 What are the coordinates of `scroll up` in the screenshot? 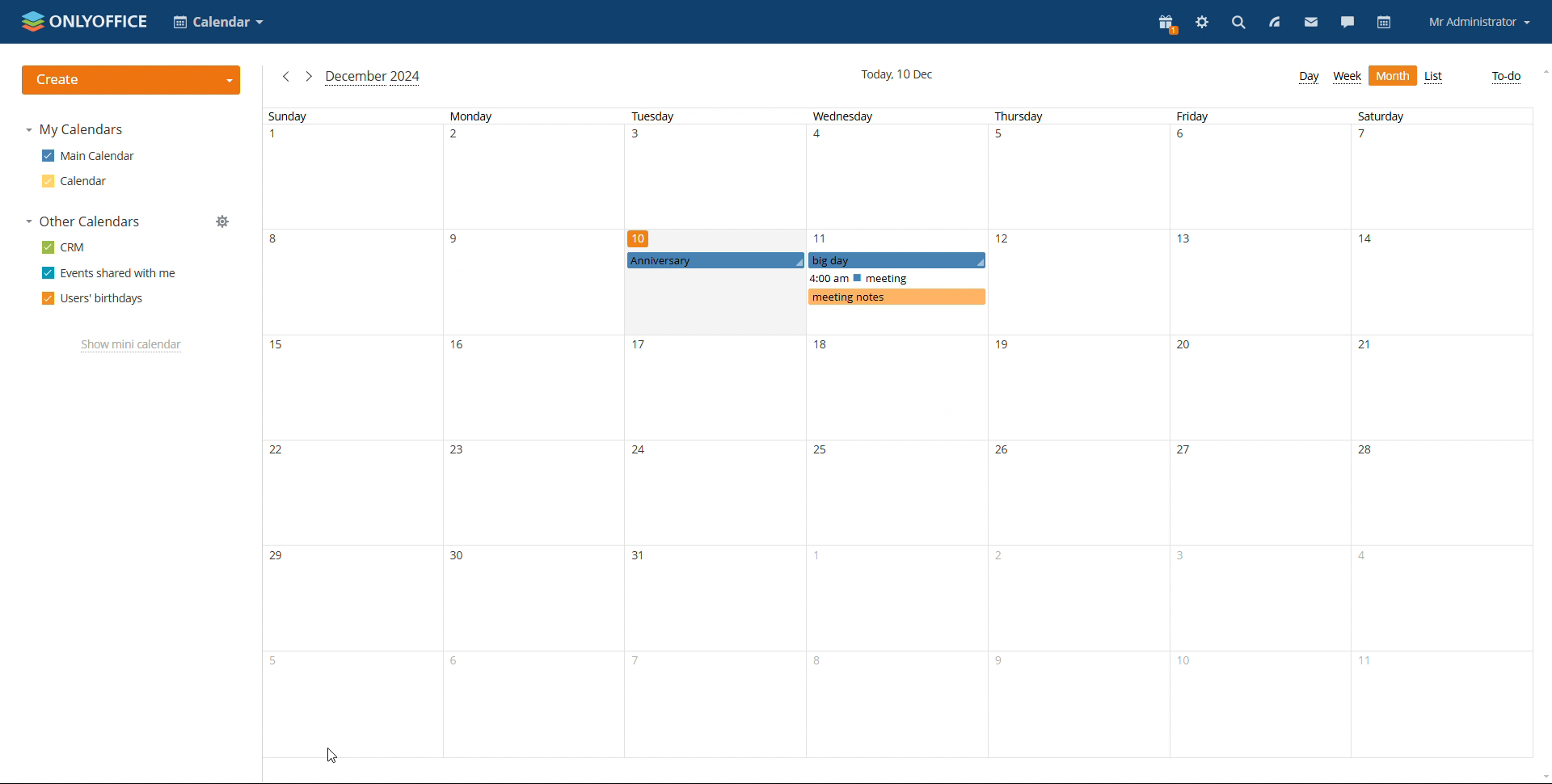 It's located at (1542, 70).